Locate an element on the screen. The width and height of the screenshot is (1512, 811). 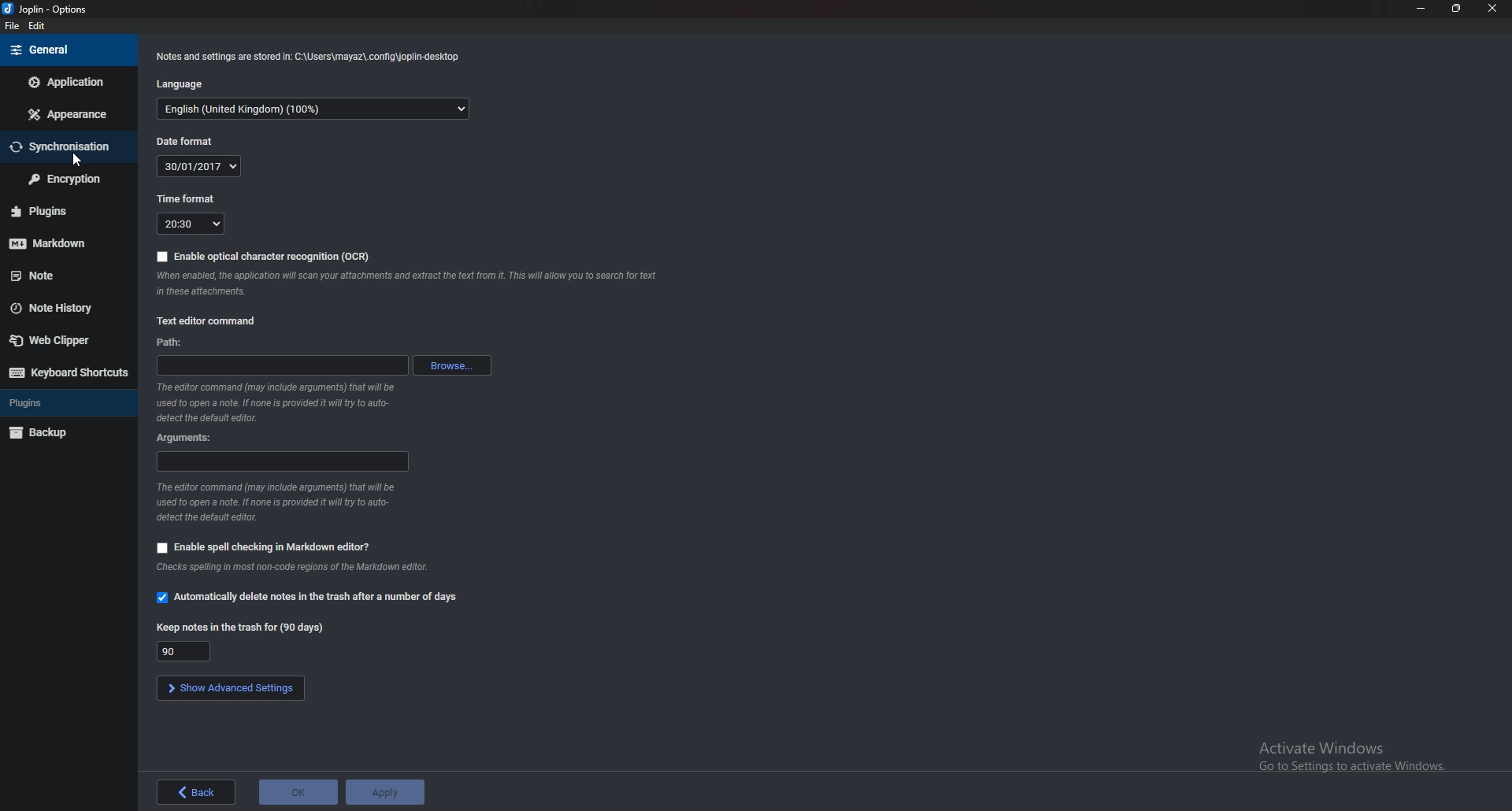
markdown is located at coordinates (59, 242).